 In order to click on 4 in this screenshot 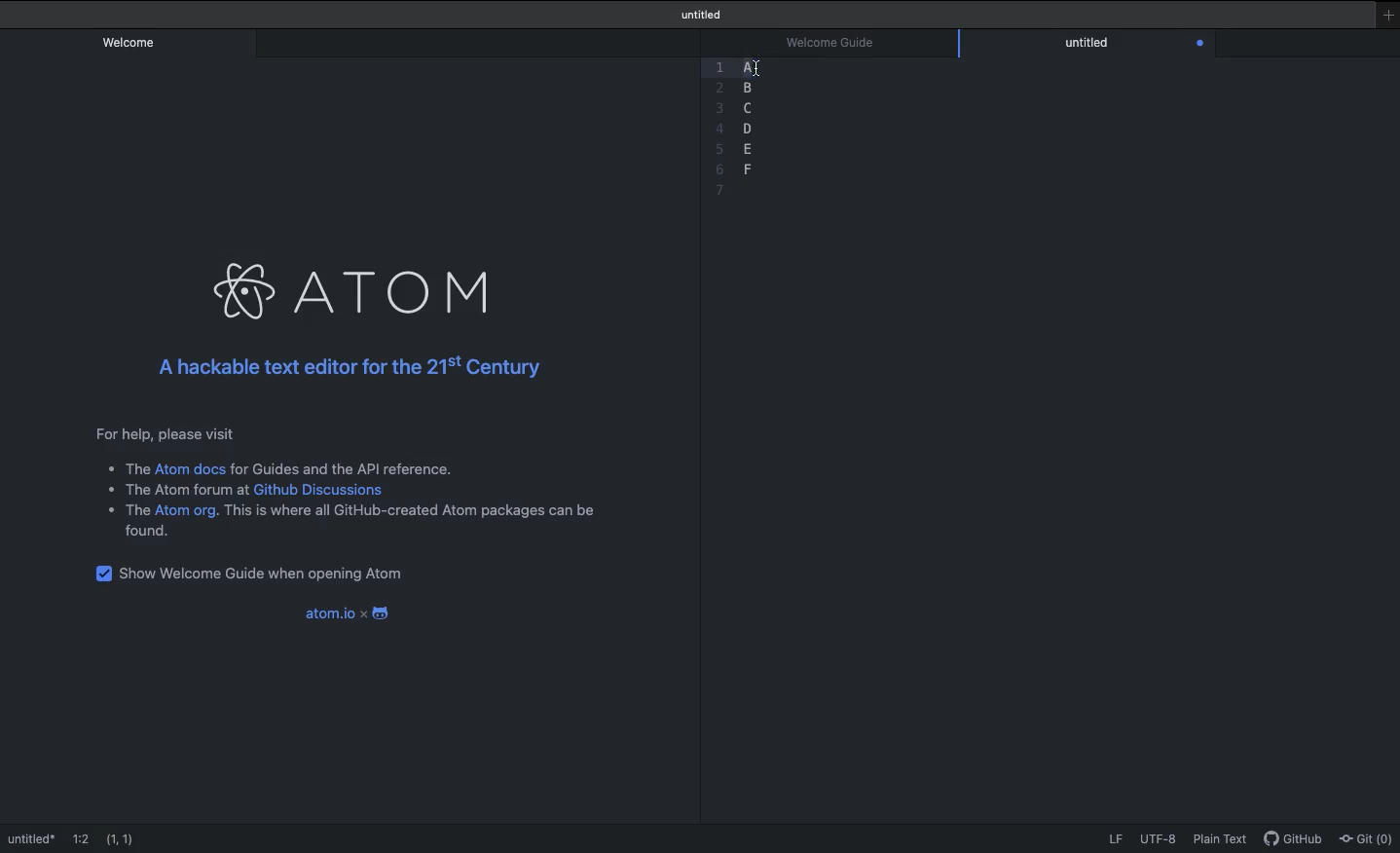, I will do `click(717, 128)`.